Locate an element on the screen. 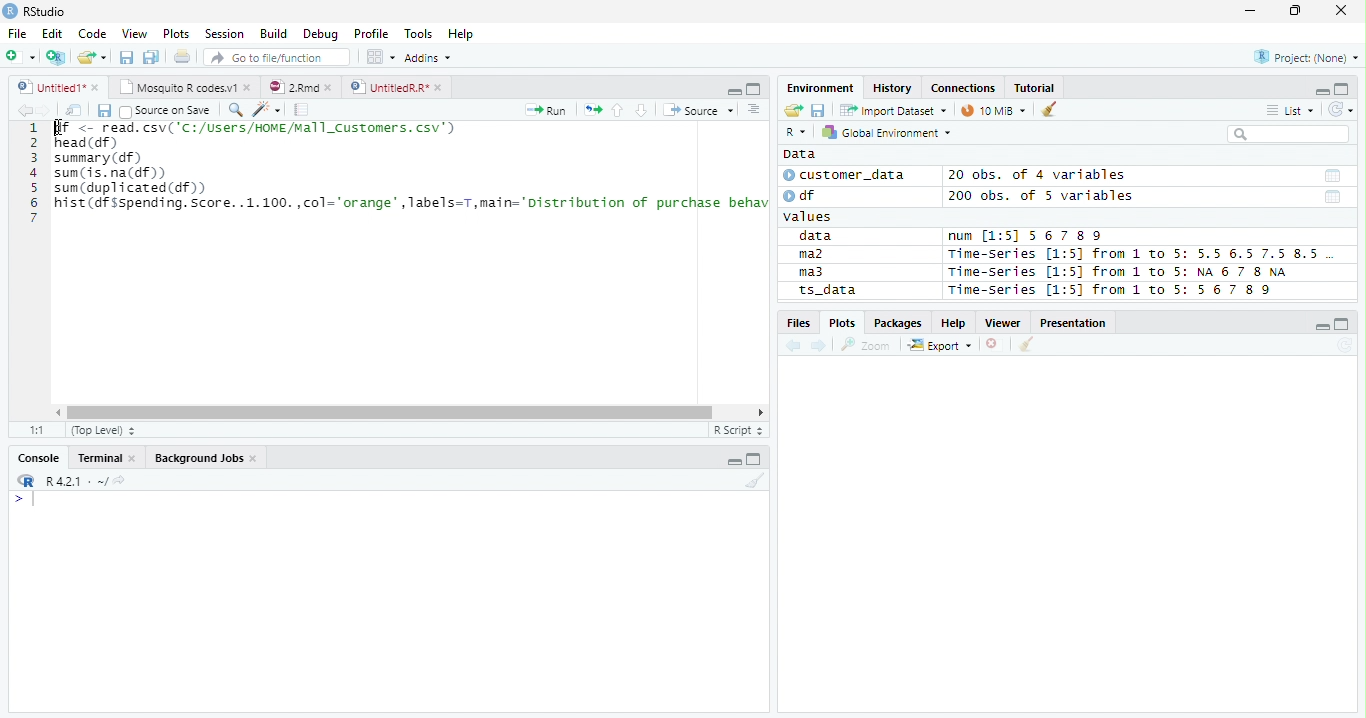 This screenshot has width=1366, height=718. Compile Report is located at coordinates (302, 110).